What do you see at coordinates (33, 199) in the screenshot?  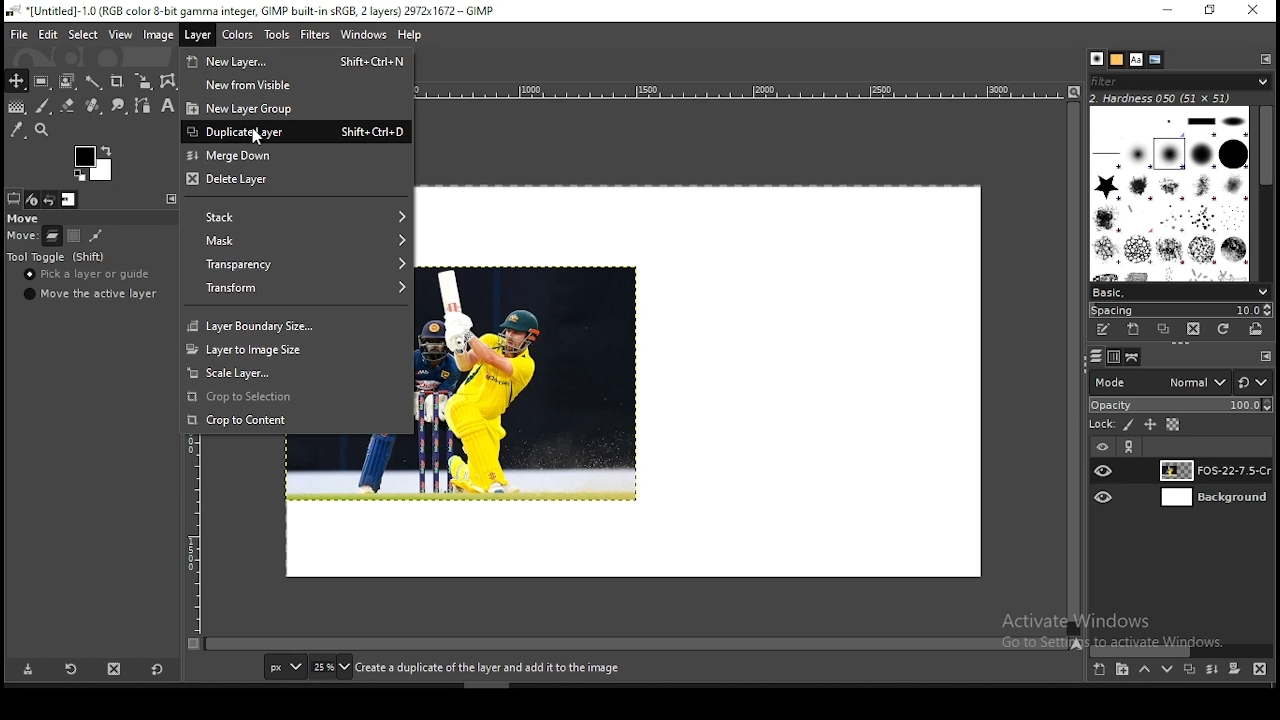 I see `device status` at bounding box center [33, 199].